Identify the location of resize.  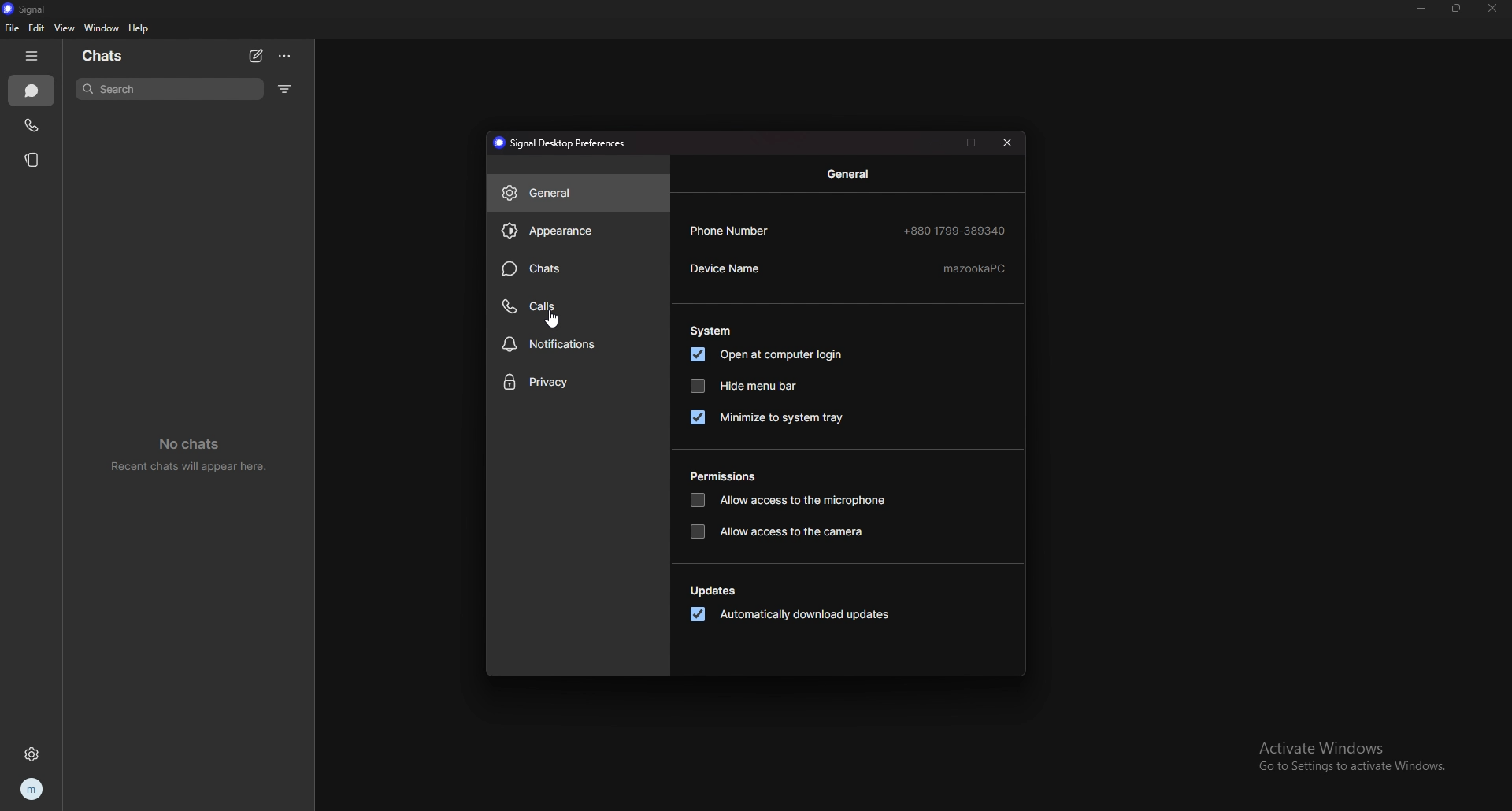
(1457, 8).